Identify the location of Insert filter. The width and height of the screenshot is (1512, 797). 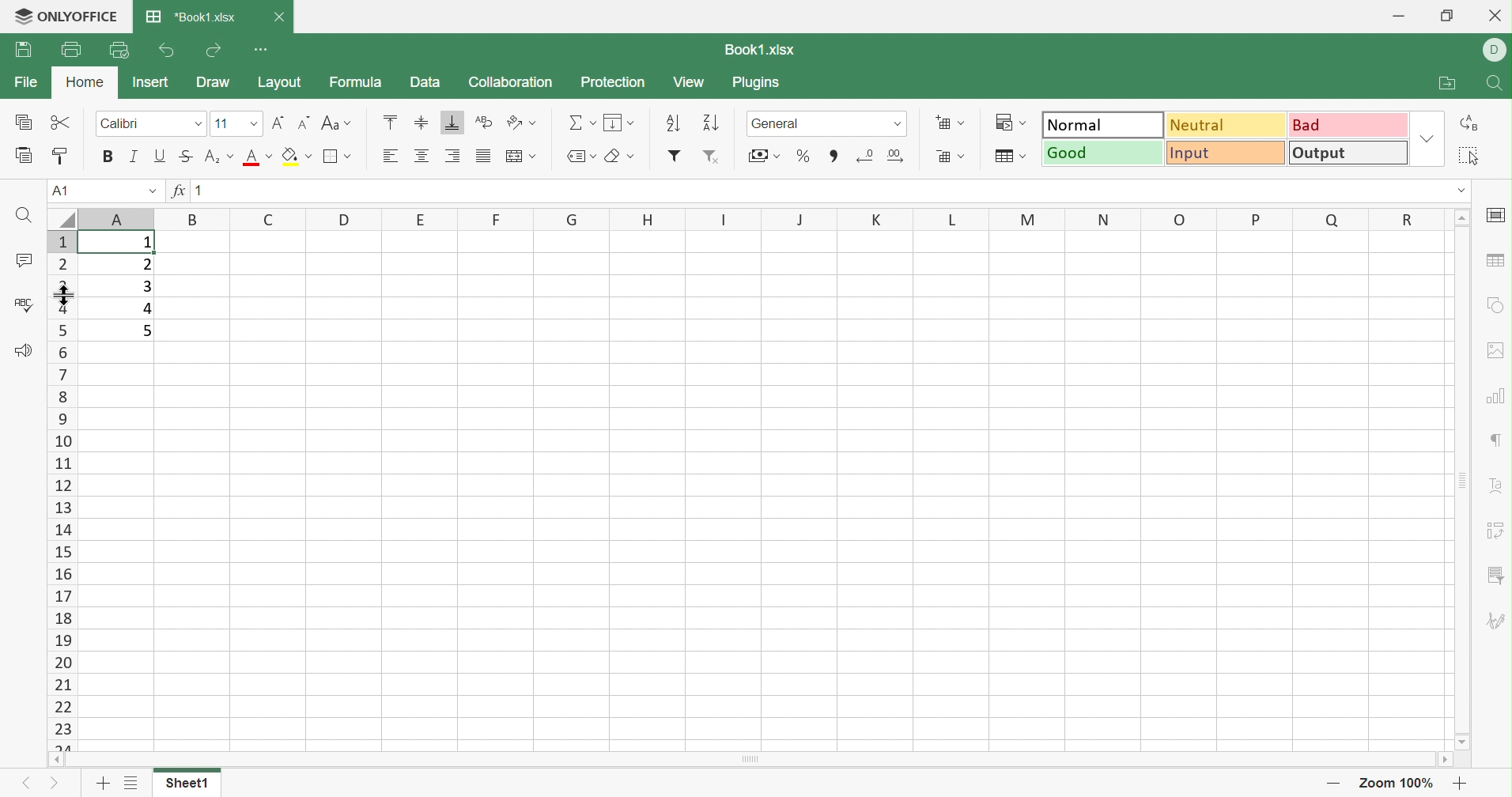
(674, 158).